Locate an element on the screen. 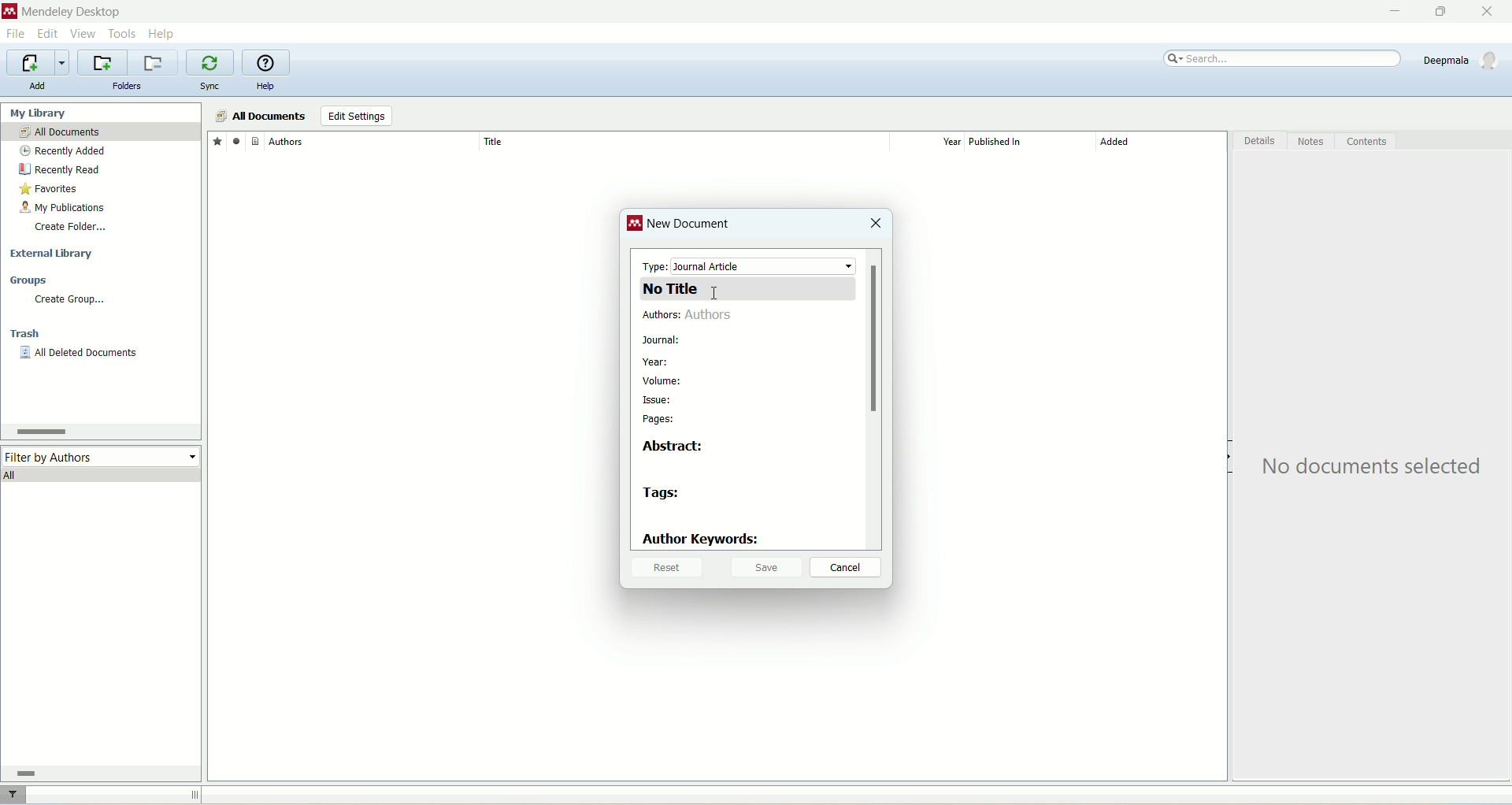 The image size is (1512, 805). all deleted is located at coordinates (80, 354).